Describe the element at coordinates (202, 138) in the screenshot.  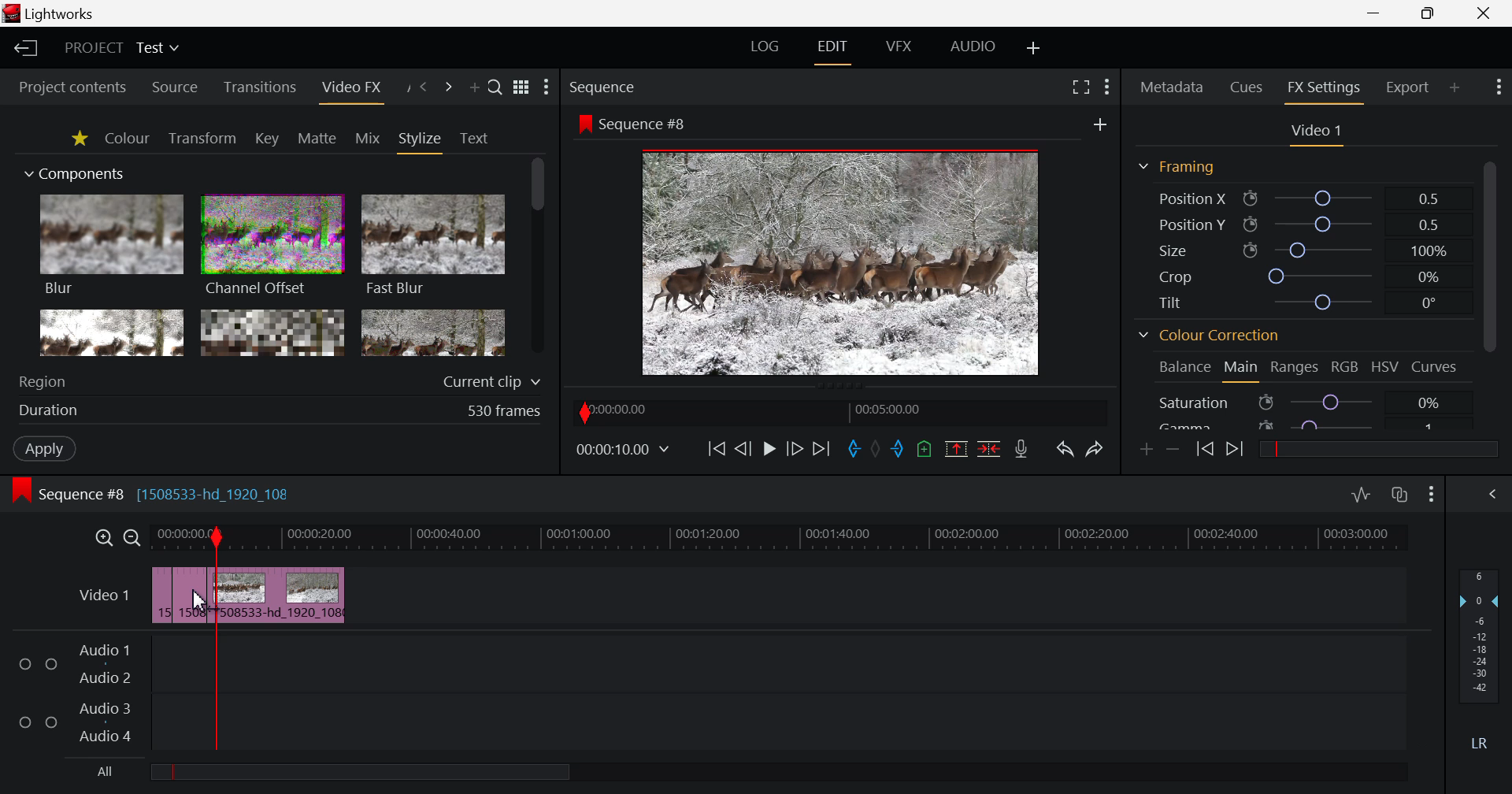
I see `Transform` at that location.